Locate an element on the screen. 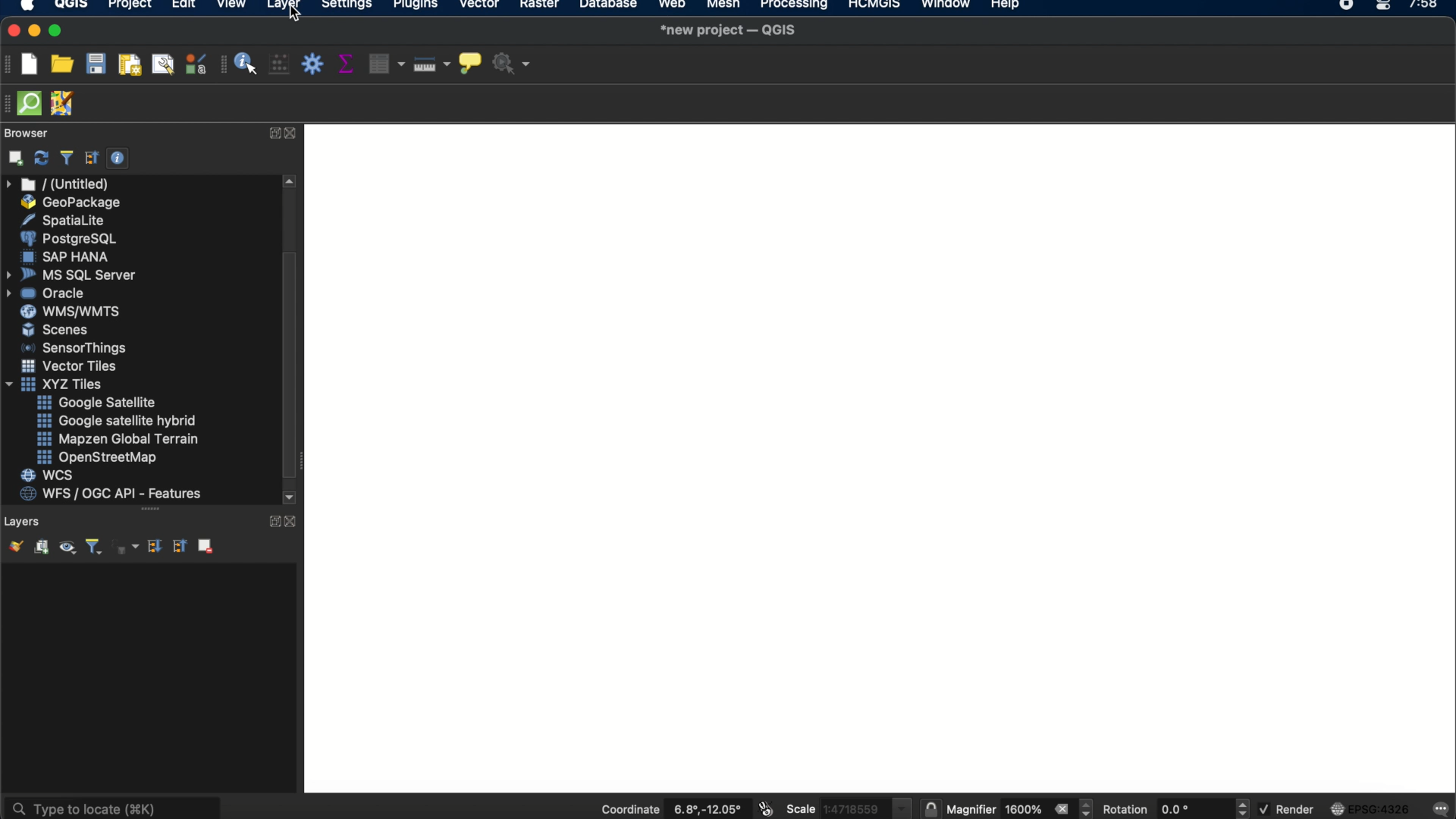 This screenshot has width=1456, height=819. new paint layout is located at coordinates (128, 66).